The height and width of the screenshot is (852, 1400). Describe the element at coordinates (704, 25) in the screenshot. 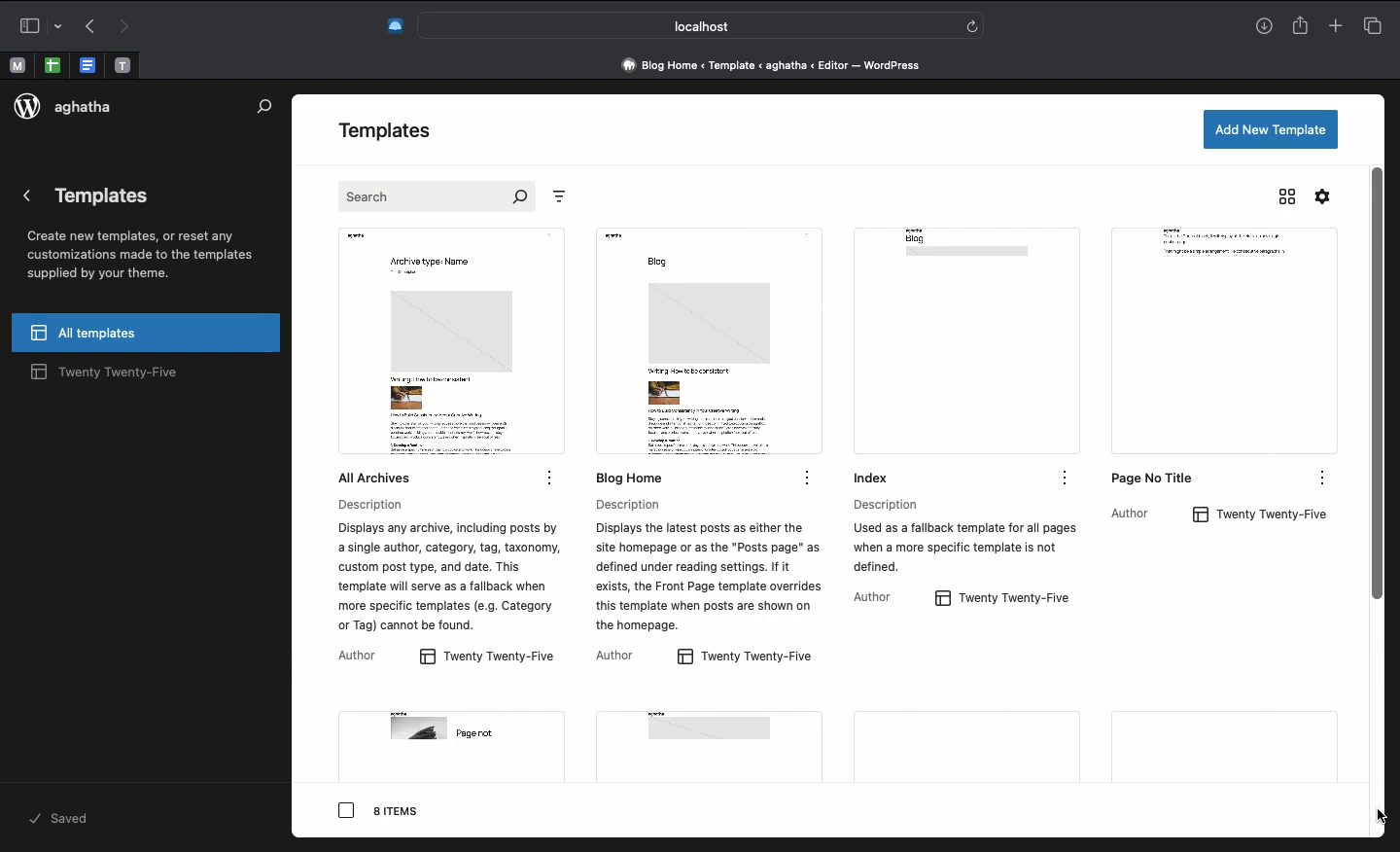

I see `Search bar` at that location.